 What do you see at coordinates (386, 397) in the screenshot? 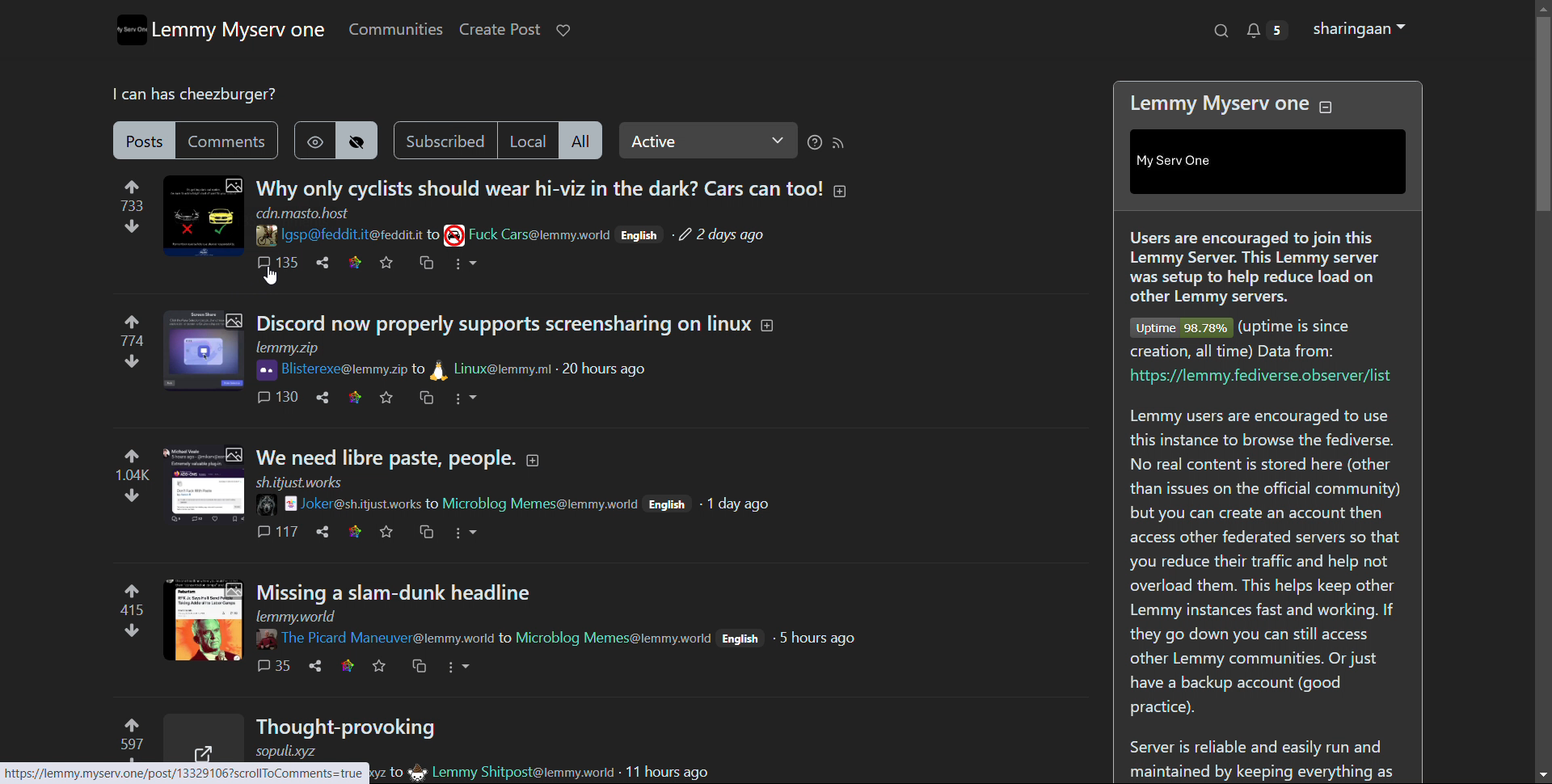
I see `favorites` at bounding box center [386, 397].